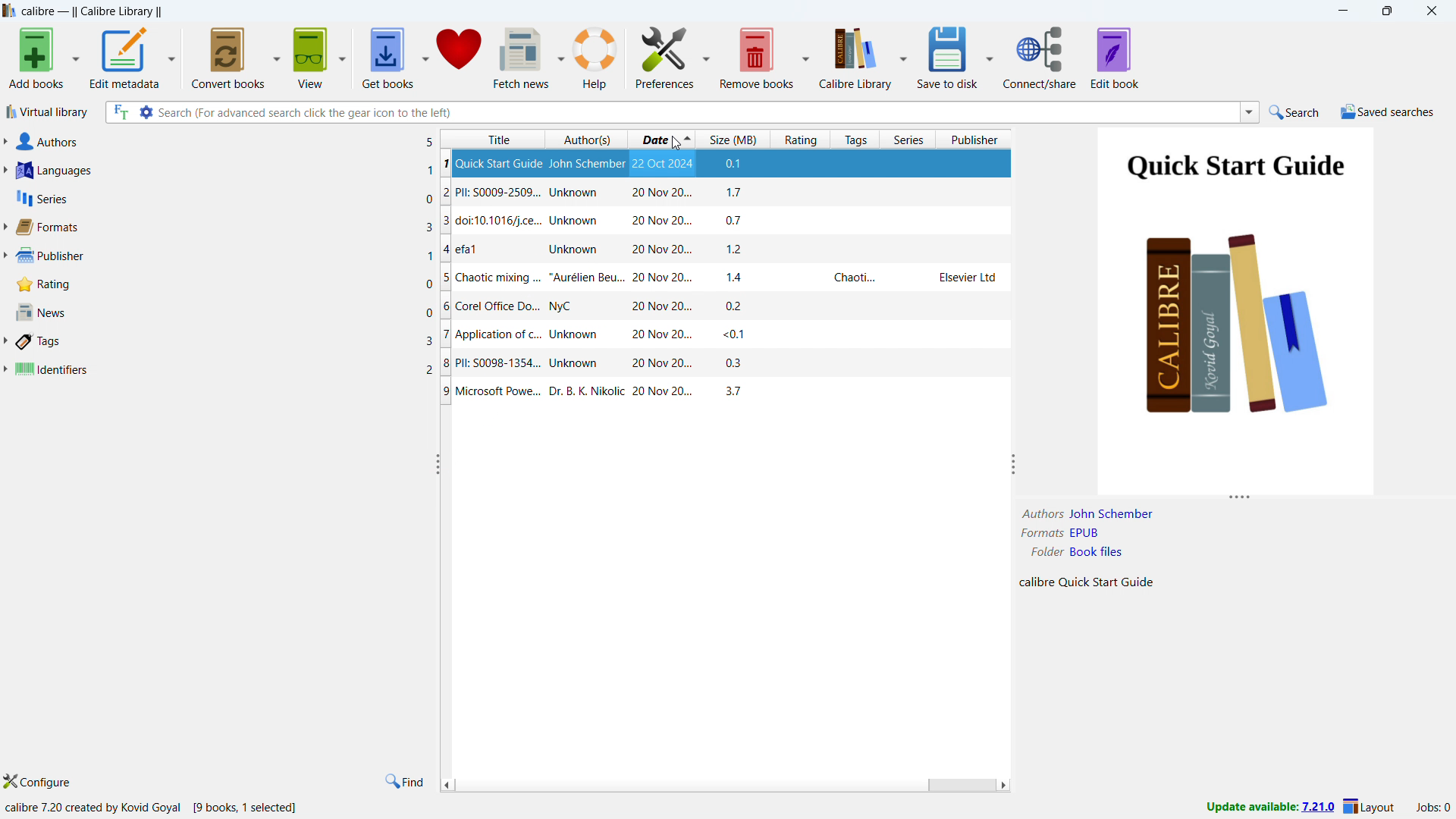 The image size is (1456, 819). I want to click on view options, so click(342, 54).